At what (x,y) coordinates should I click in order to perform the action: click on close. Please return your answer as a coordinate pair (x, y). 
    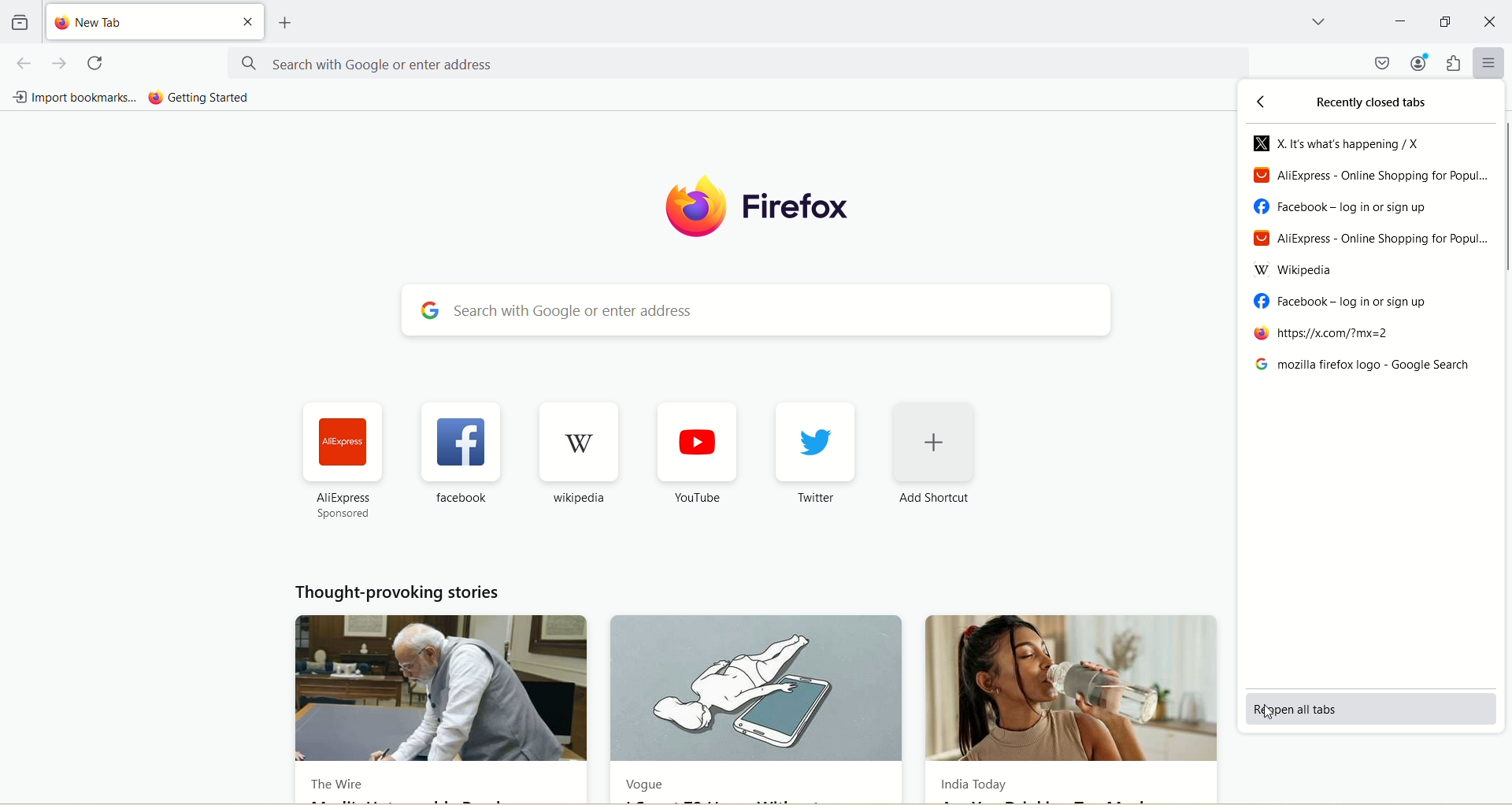
    Looking at the image, I should click on (1489, 20).